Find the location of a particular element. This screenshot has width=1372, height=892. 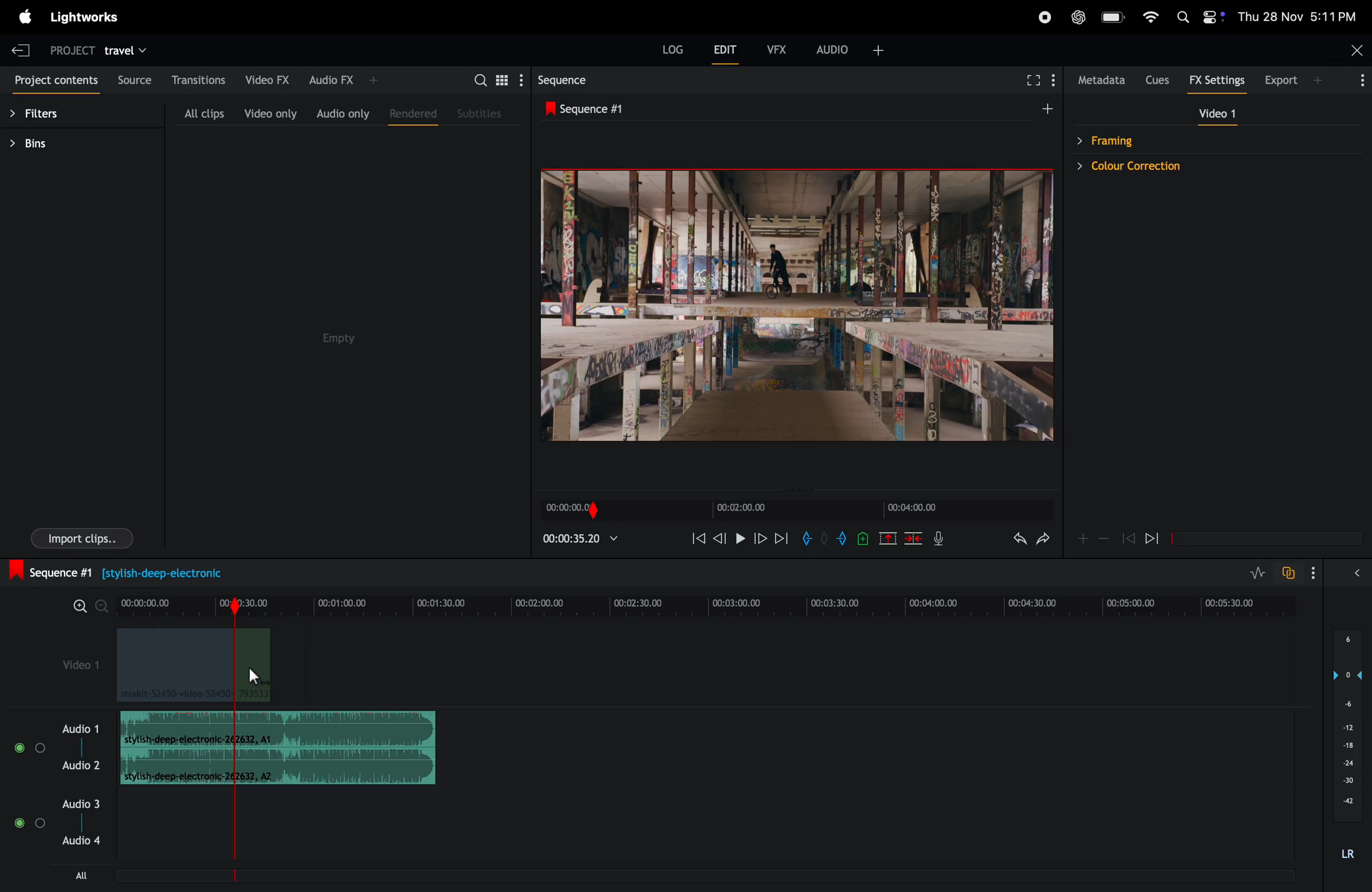

Audio 3 is located at coordinates (80, 804).